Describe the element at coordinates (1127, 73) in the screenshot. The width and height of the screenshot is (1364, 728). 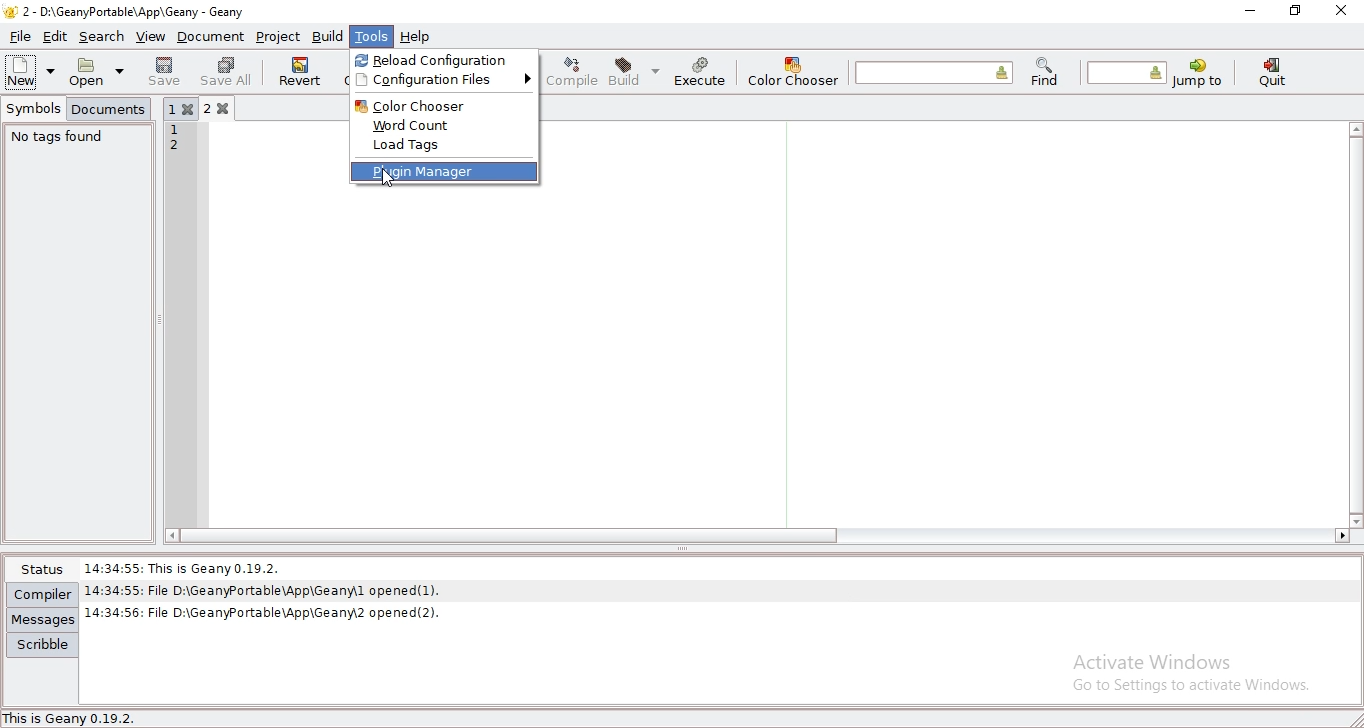
I see `jump to the entered line number` at that location.